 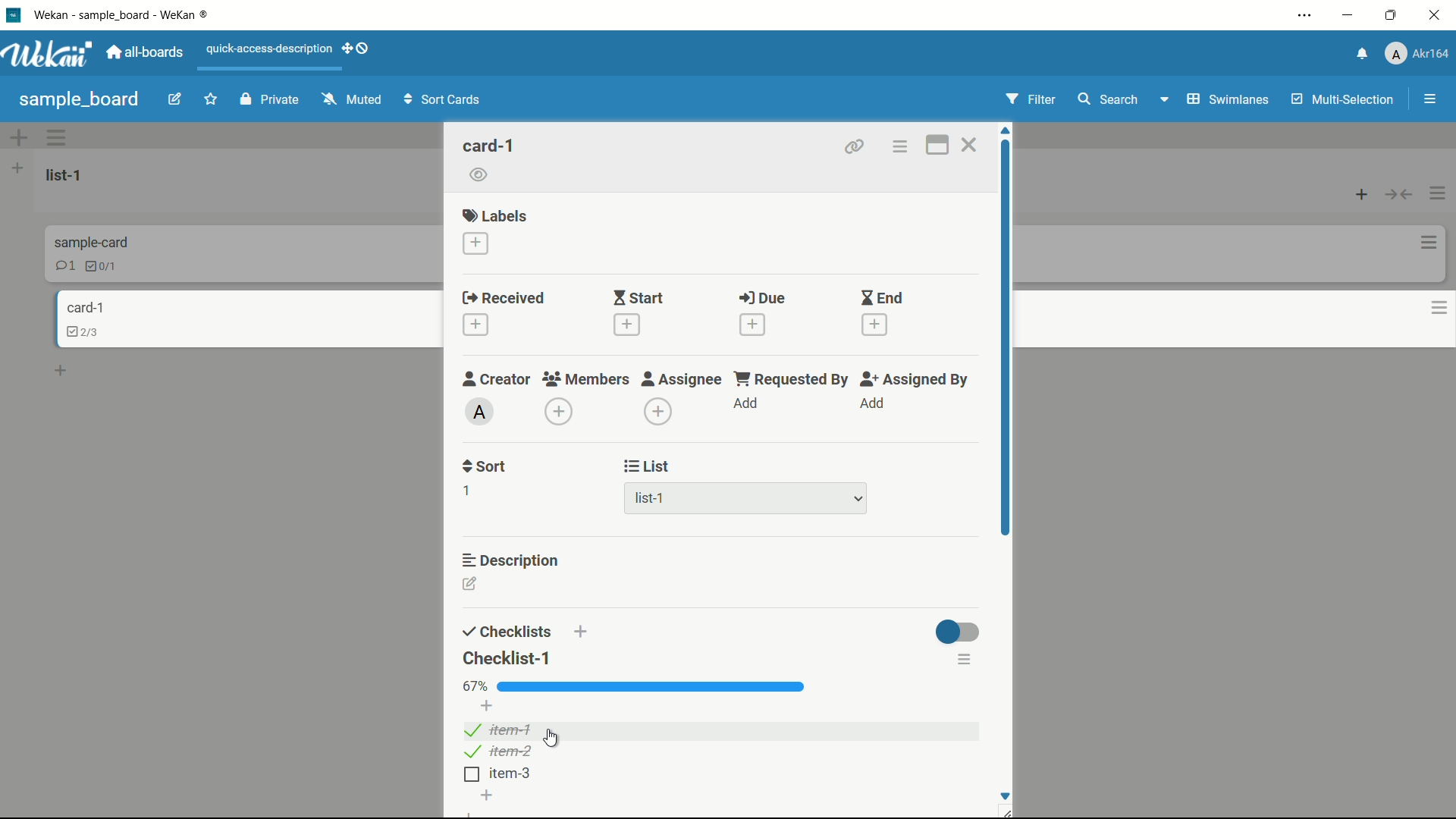 I want to click on members, so click(x=586, y=380).